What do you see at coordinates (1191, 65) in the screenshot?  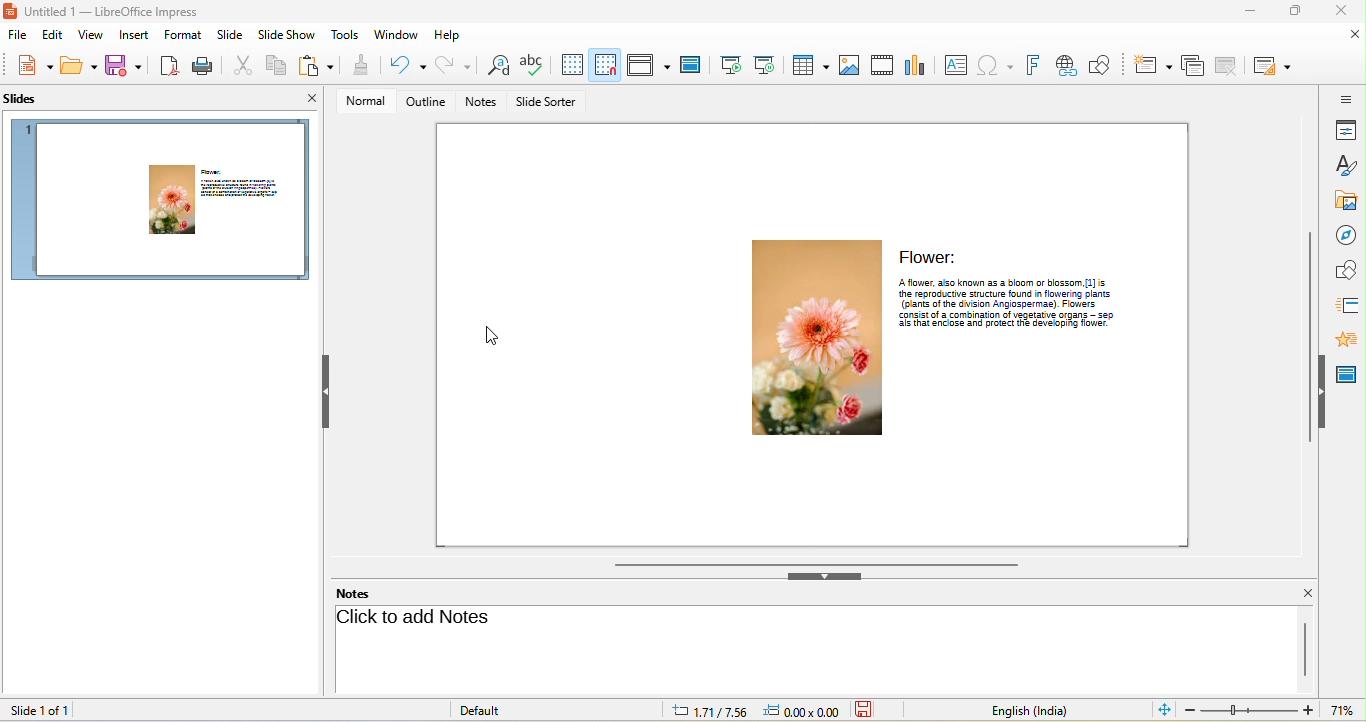 I see `duplicate slide` at bounding box center [1191, 65].